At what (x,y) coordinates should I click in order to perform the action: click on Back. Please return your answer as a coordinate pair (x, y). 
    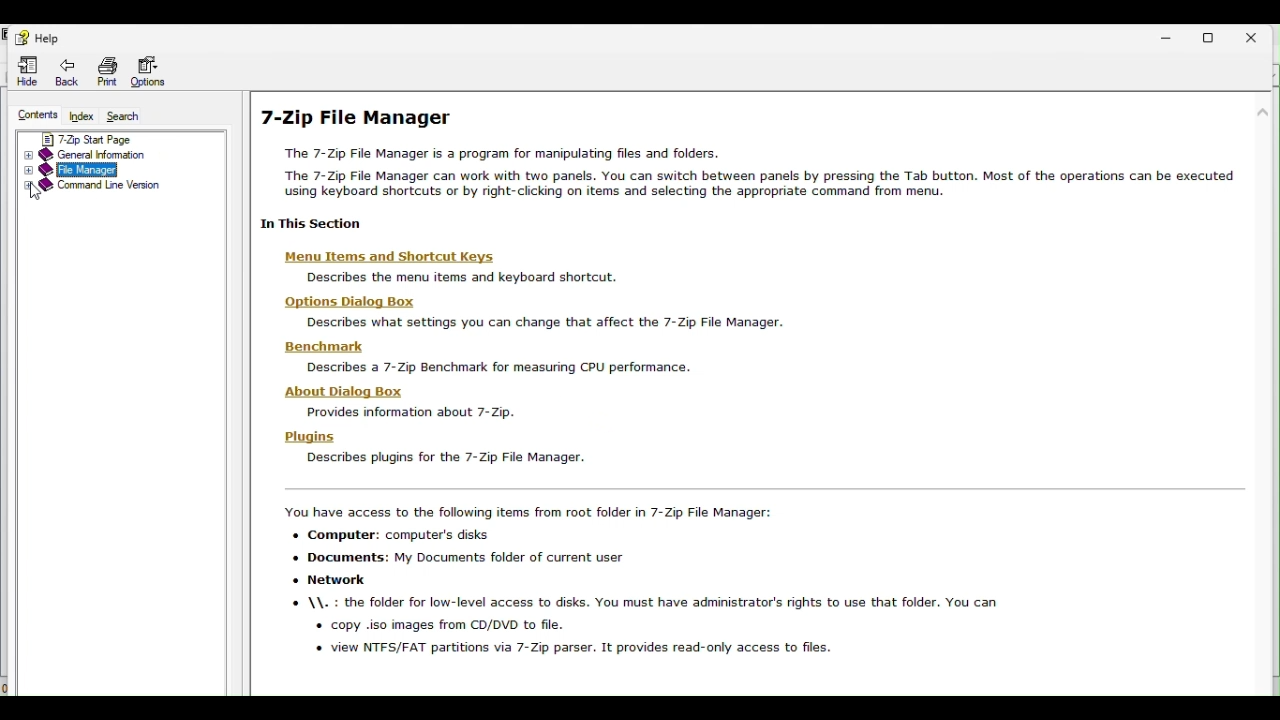
    Looking at the image, I should click on (66, 73).